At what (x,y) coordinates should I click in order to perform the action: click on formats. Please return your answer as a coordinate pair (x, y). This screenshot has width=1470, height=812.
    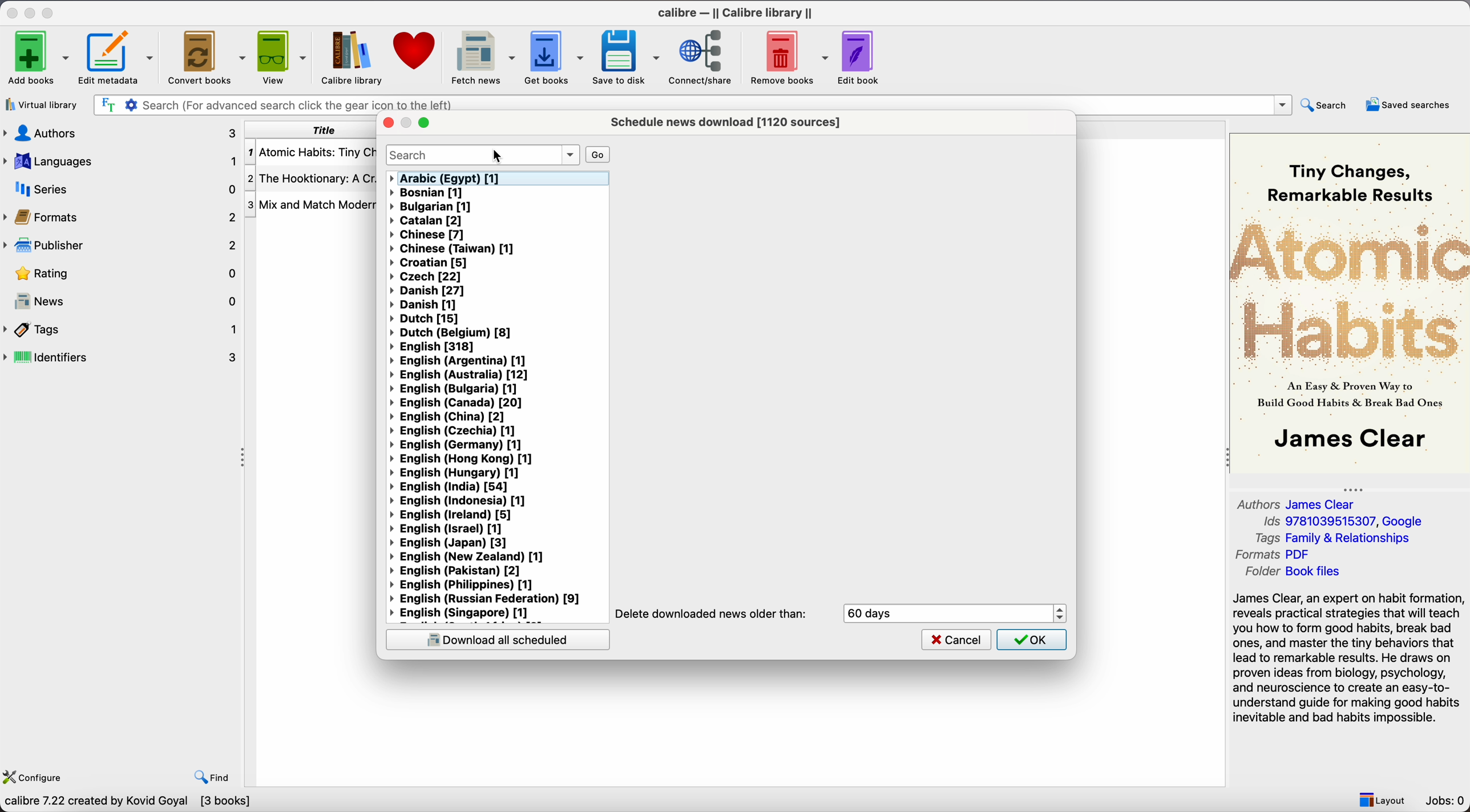
    Looking at the image, I should click on (119, 216).